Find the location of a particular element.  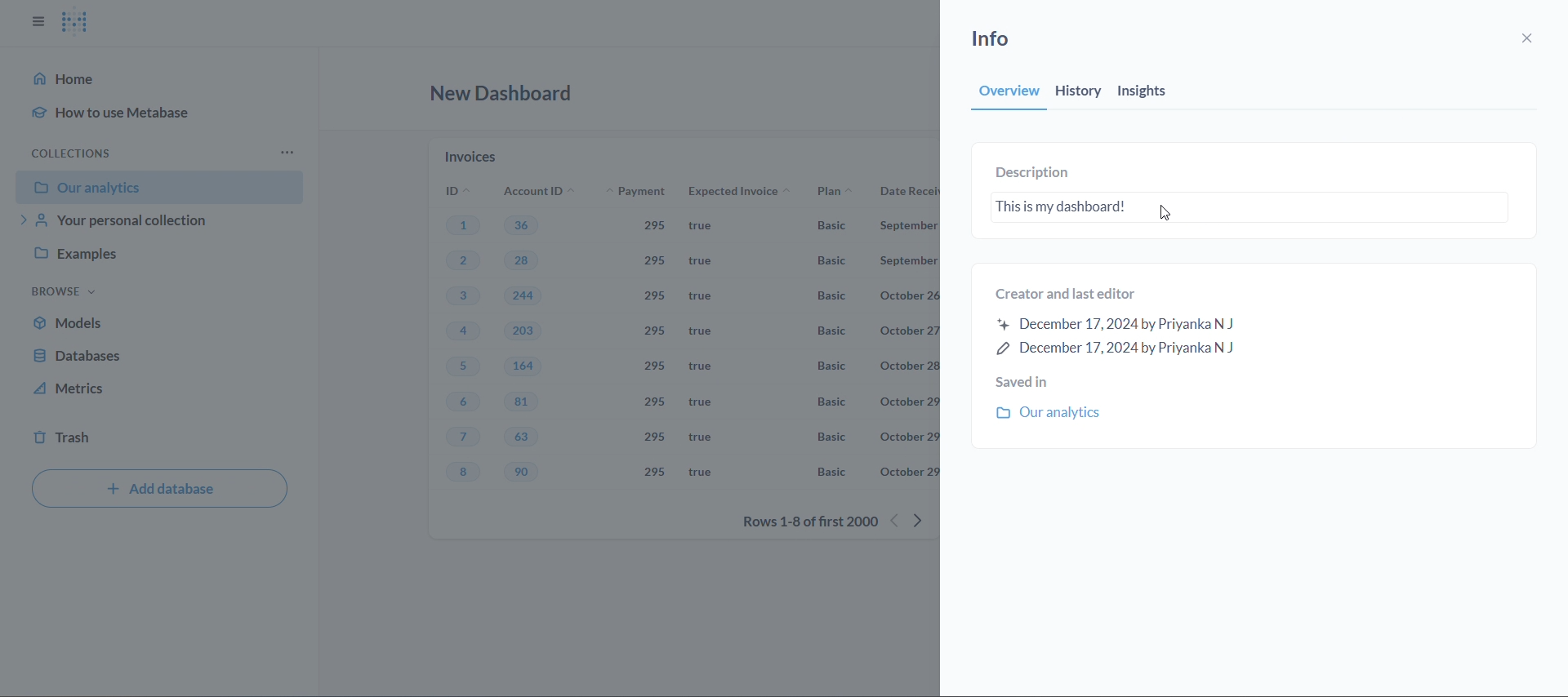

more  is located at coordinates (292, 151).